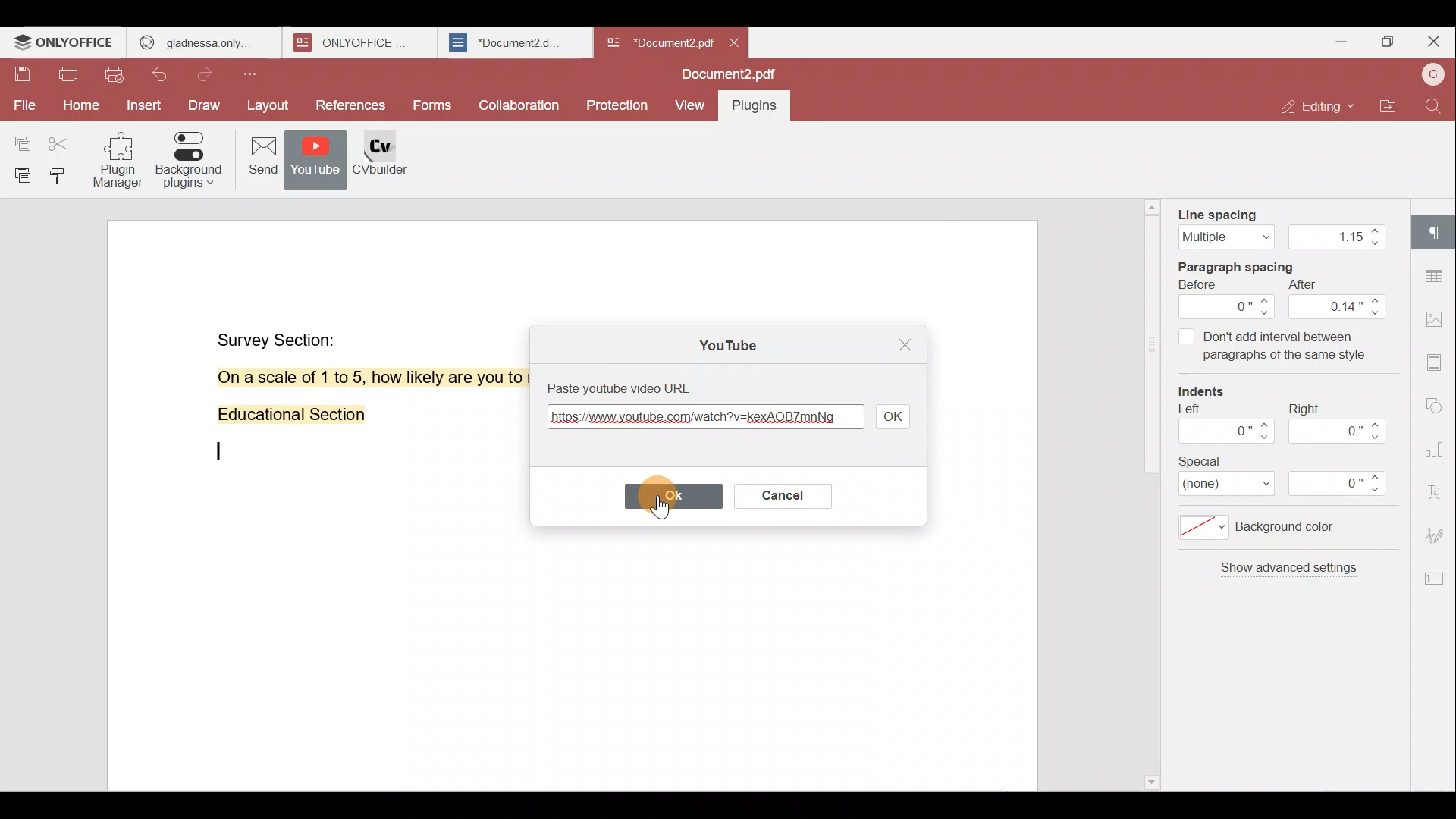  I want to click on Plugin manager, so click(121, 165).